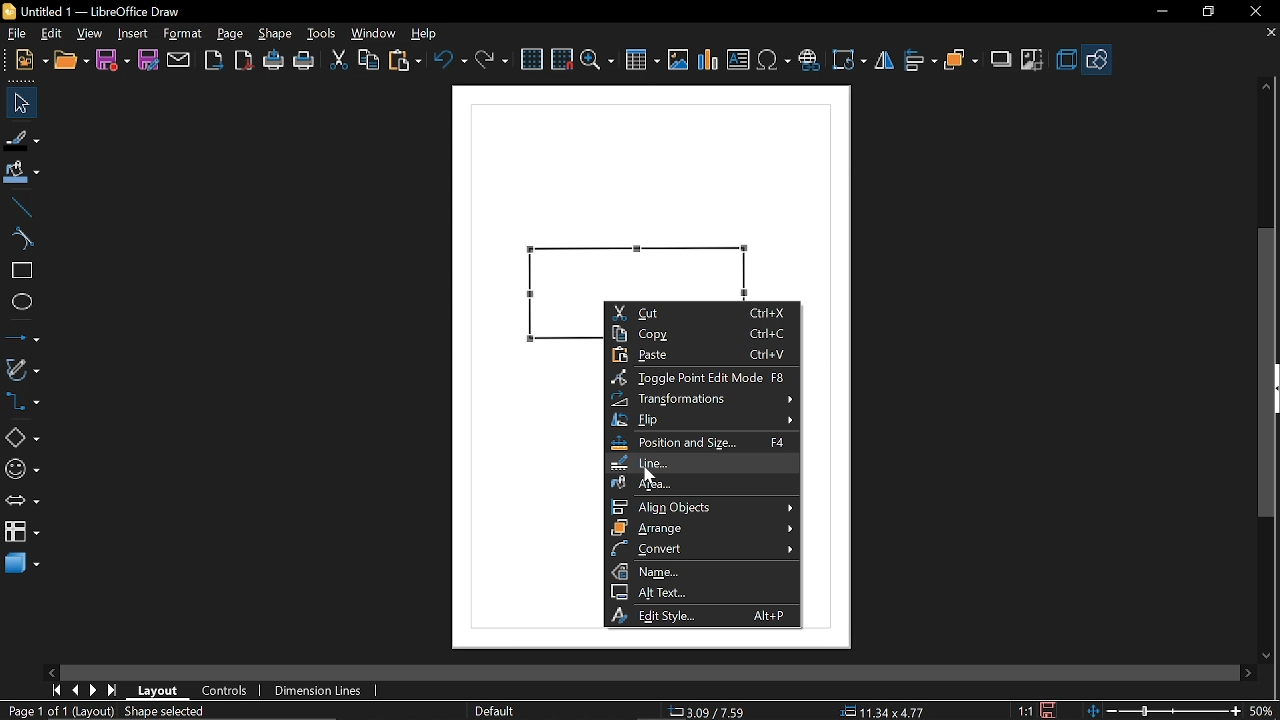 This screenshot has width=1280, height=720. What do you see at coordinates (21, 402) in the screenshot?
I see `connector` at bounding box center [21, 402].